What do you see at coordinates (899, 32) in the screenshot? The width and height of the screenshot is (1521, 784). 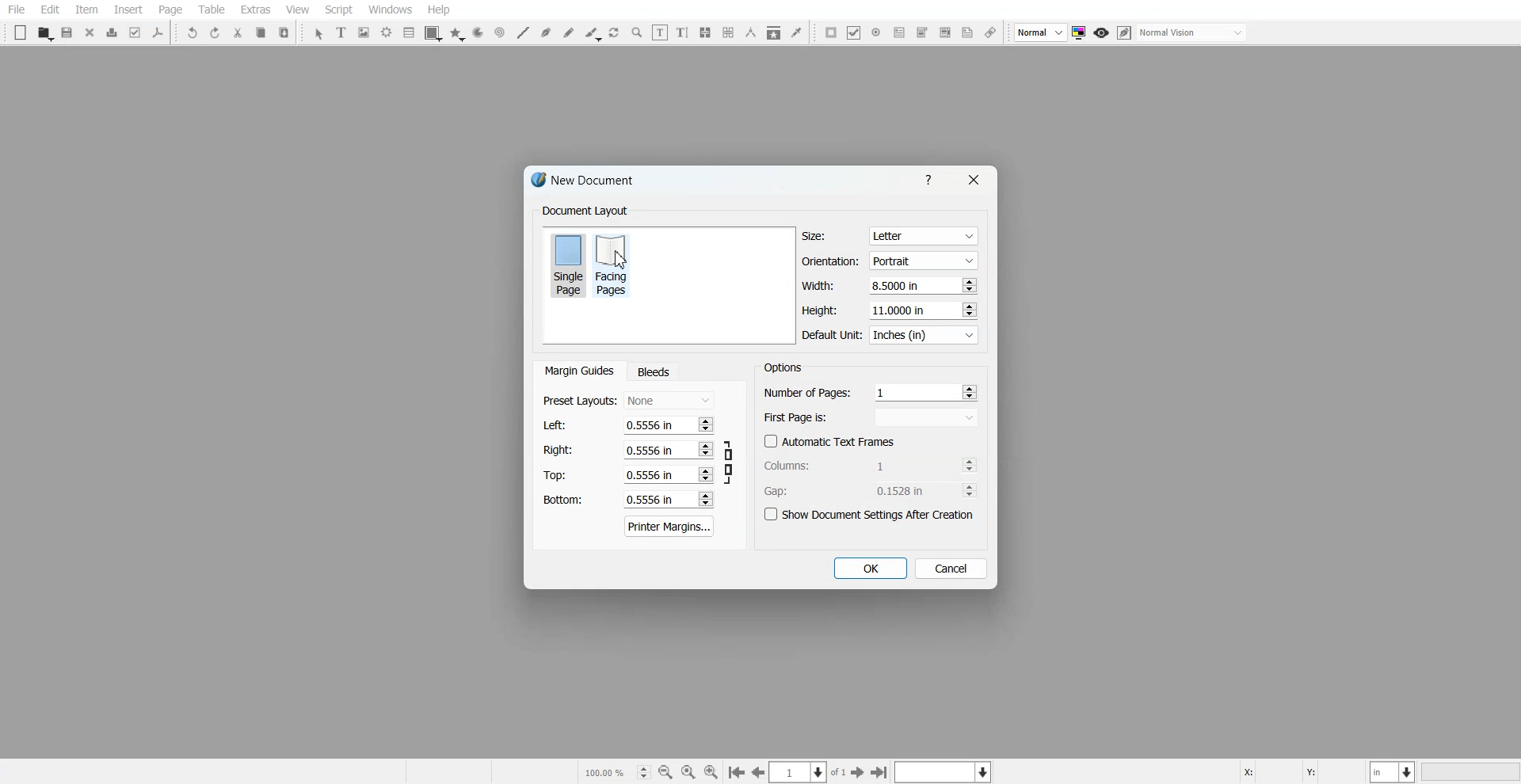 I see `PDF Text Field` at bounding box center [899, 32].